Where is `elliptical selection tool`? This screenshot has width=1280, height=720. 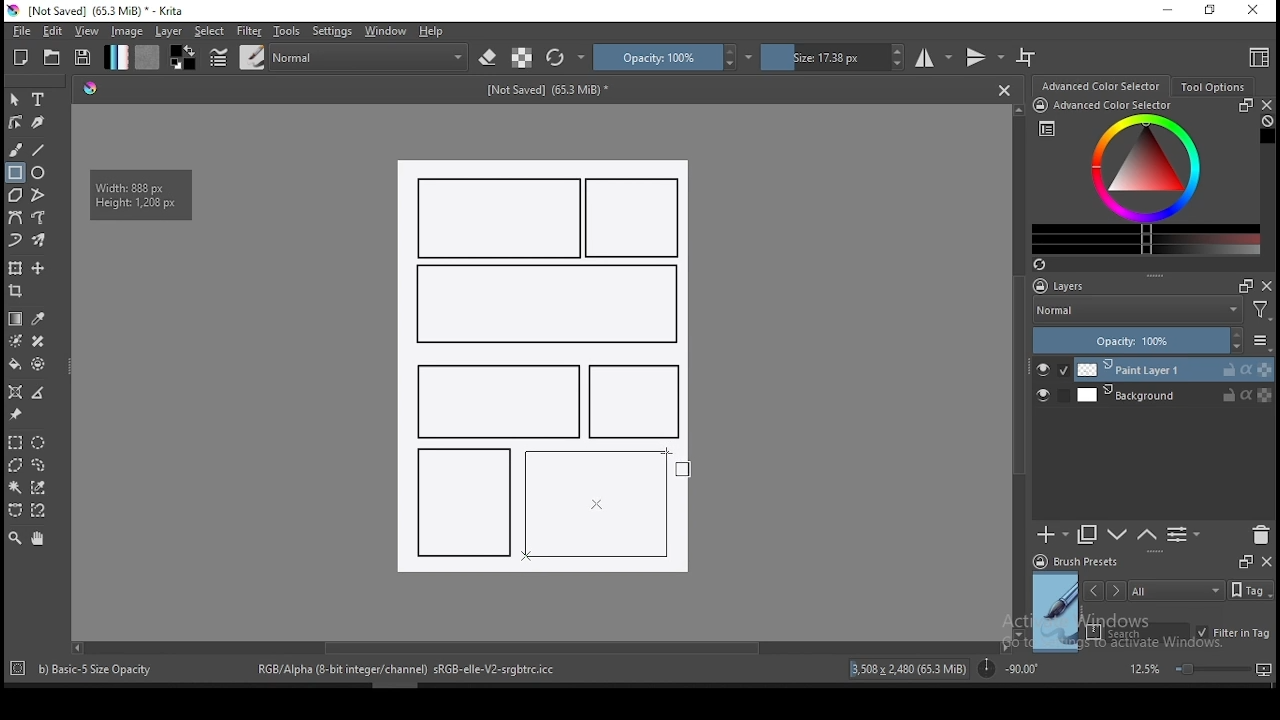 elliptical selection tool is located at coordinates (38, 443).